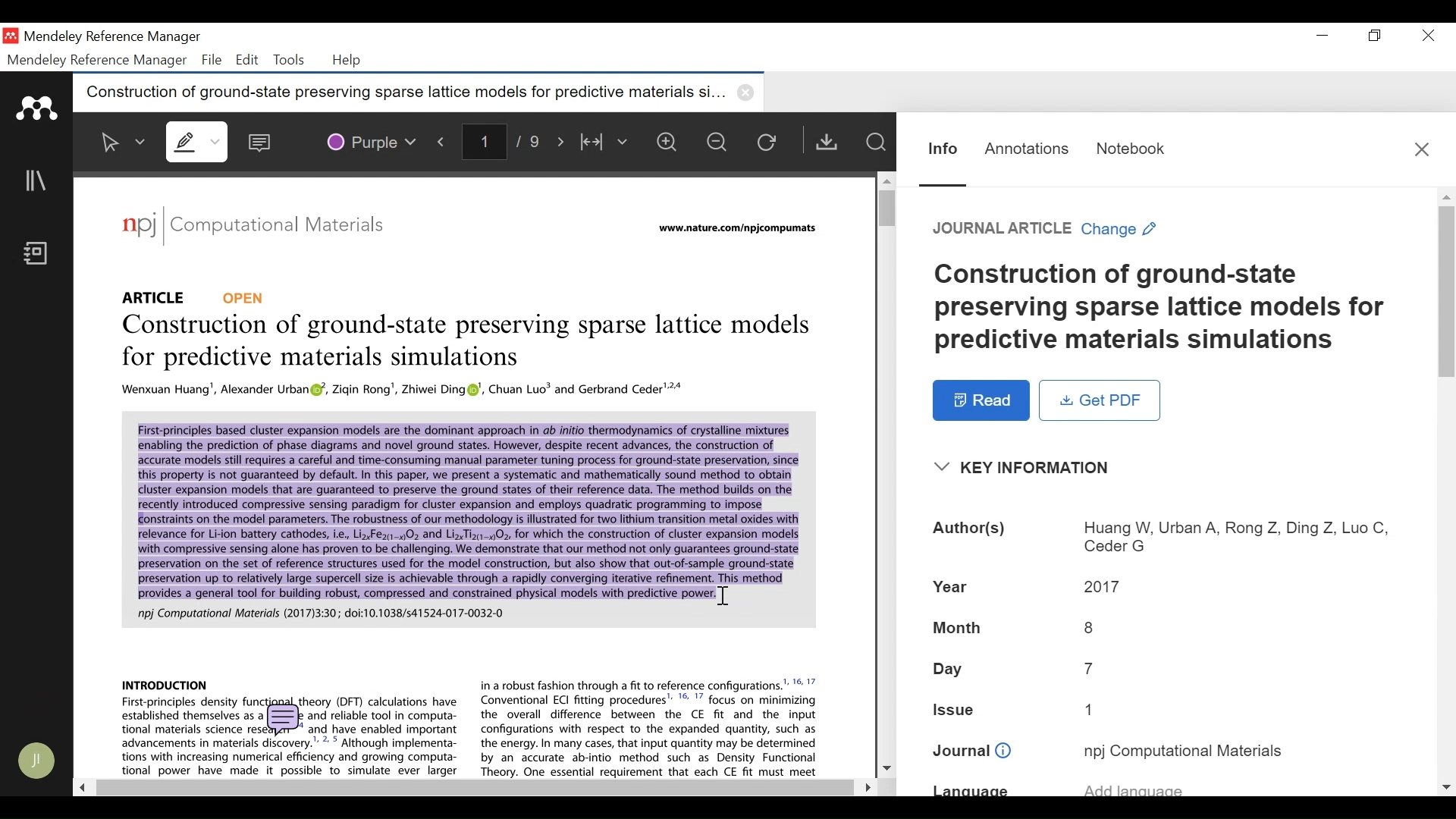 This screenshot has width=1456, height=819. I want to click on Insertion cursor, so click(722, 595).